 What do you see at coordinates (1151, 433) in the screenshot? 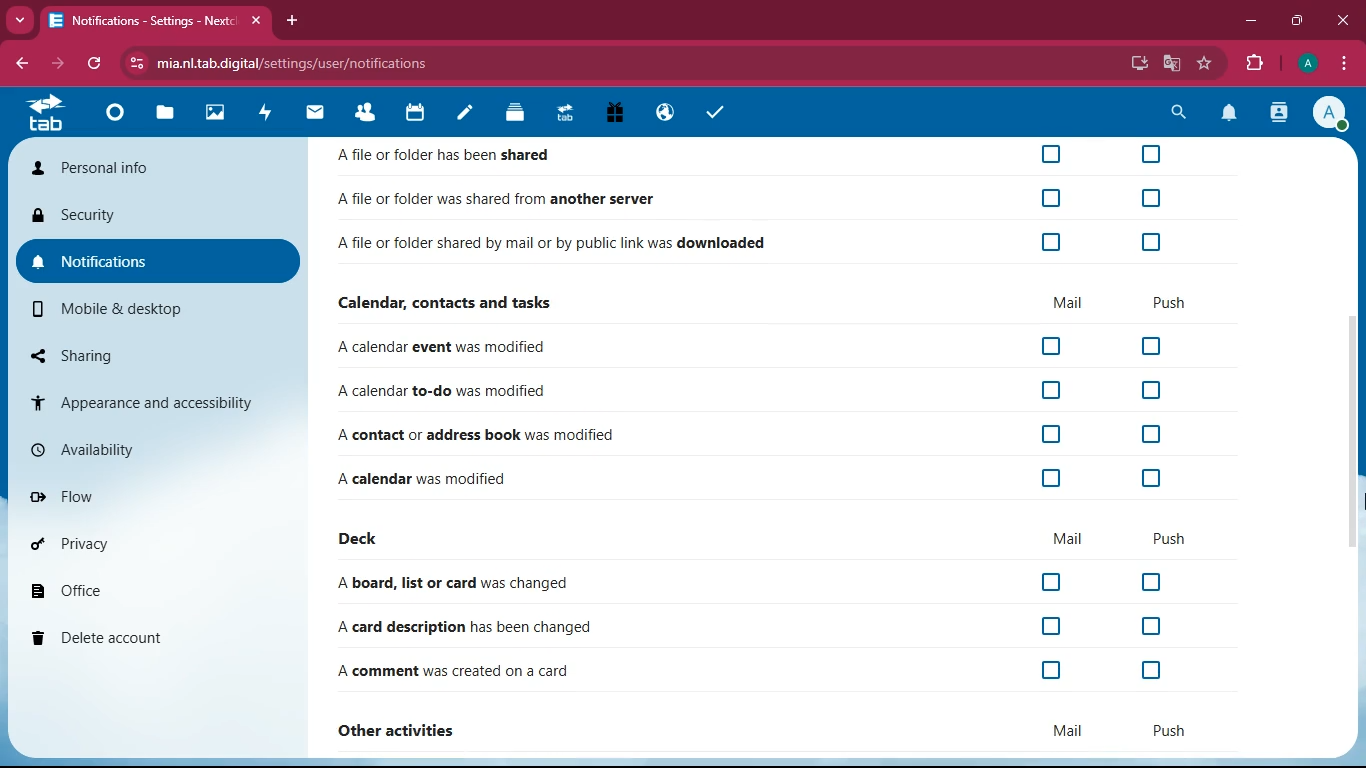
I see `off` at bounding box center [1151, 433].